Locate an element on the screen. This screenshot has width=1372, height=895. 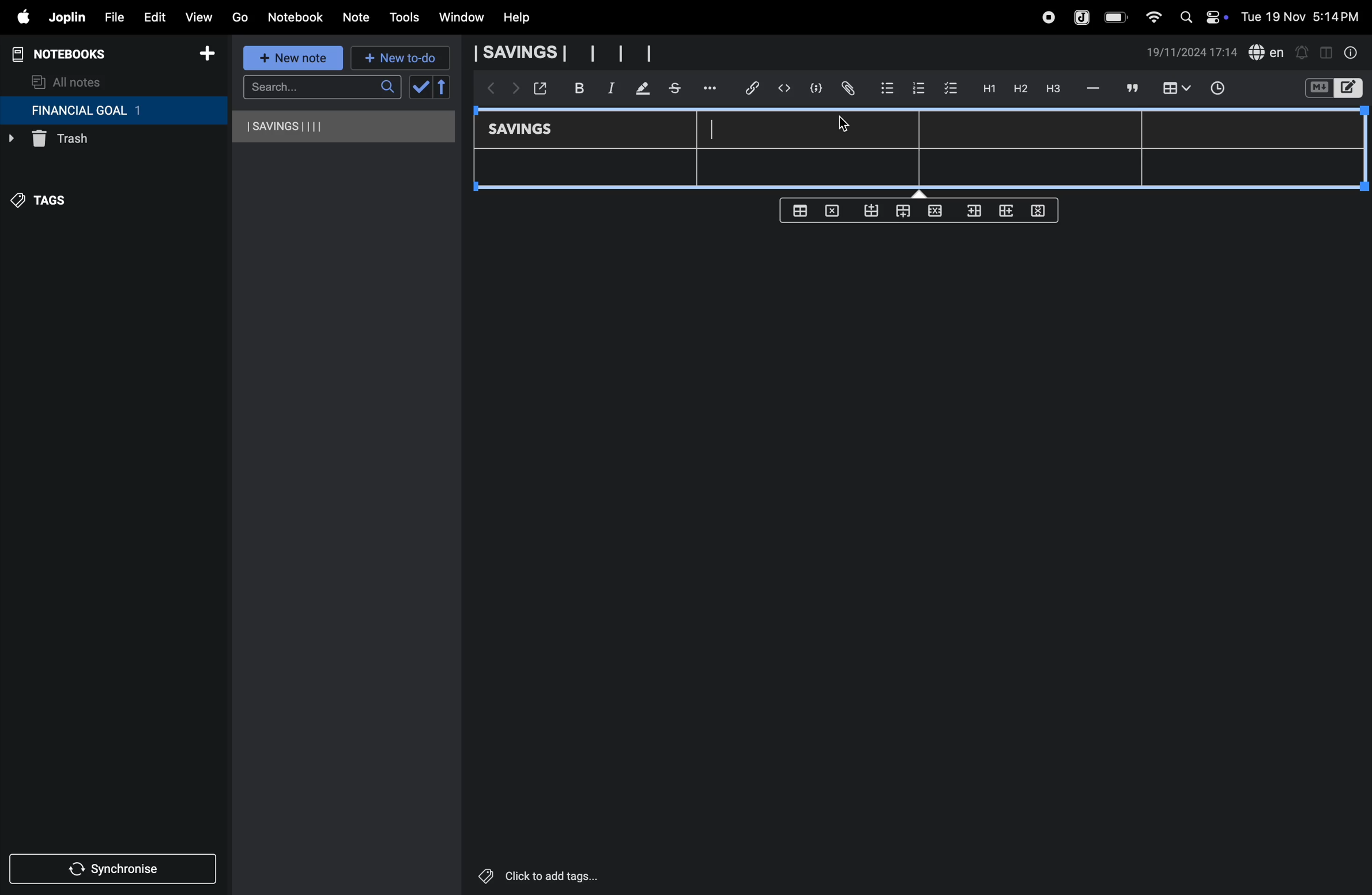
check box is located at coordinates (951, 89).